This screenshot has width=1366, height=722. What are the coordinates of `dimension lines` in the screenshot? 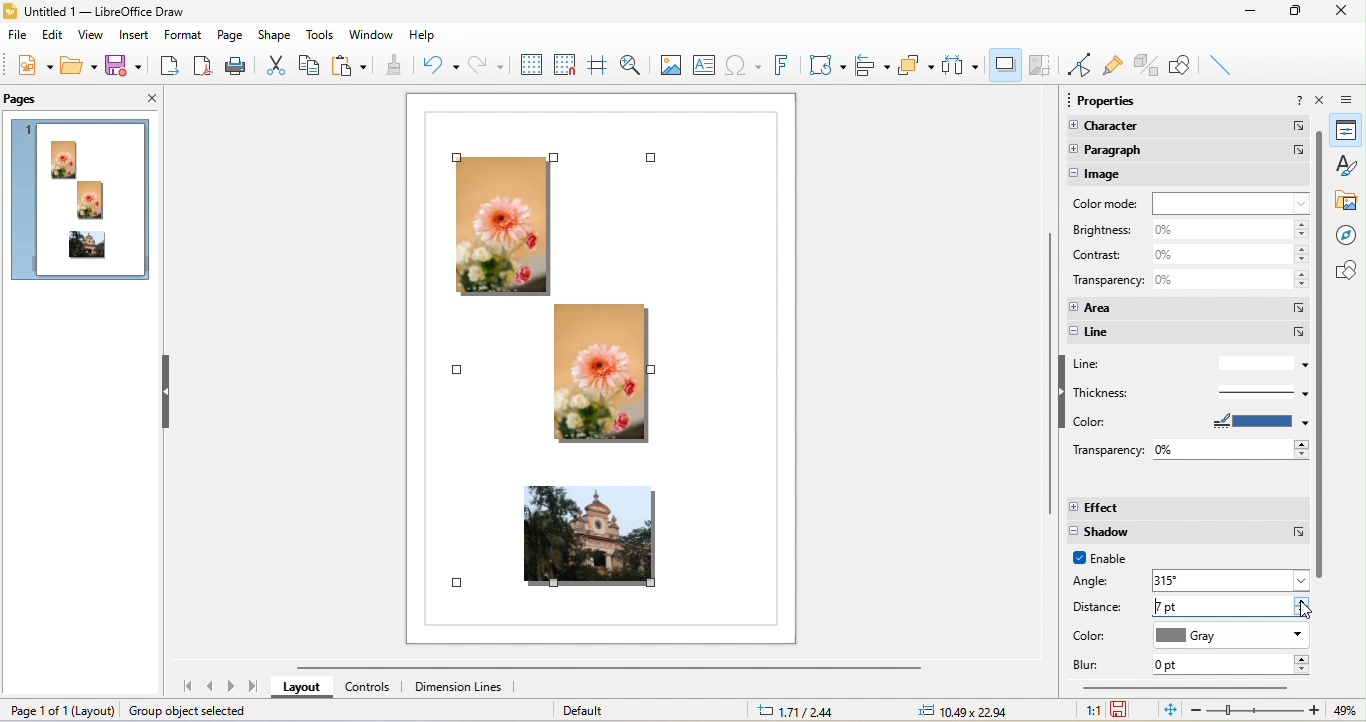 It's located at (460, 690).